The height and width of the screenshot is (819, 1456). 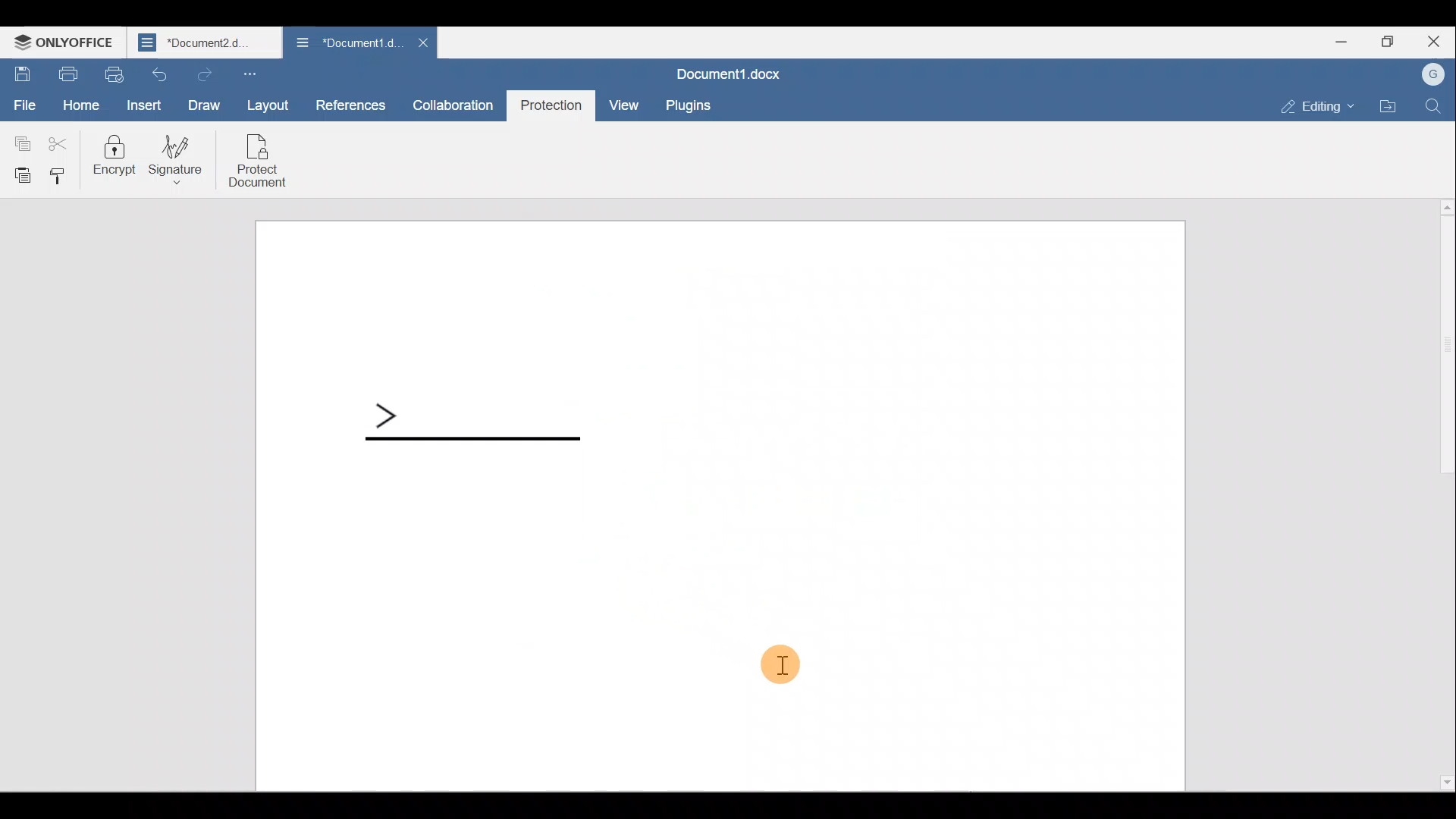 I want to click on Customize quick access toolbar, so click(x=258, y=74).